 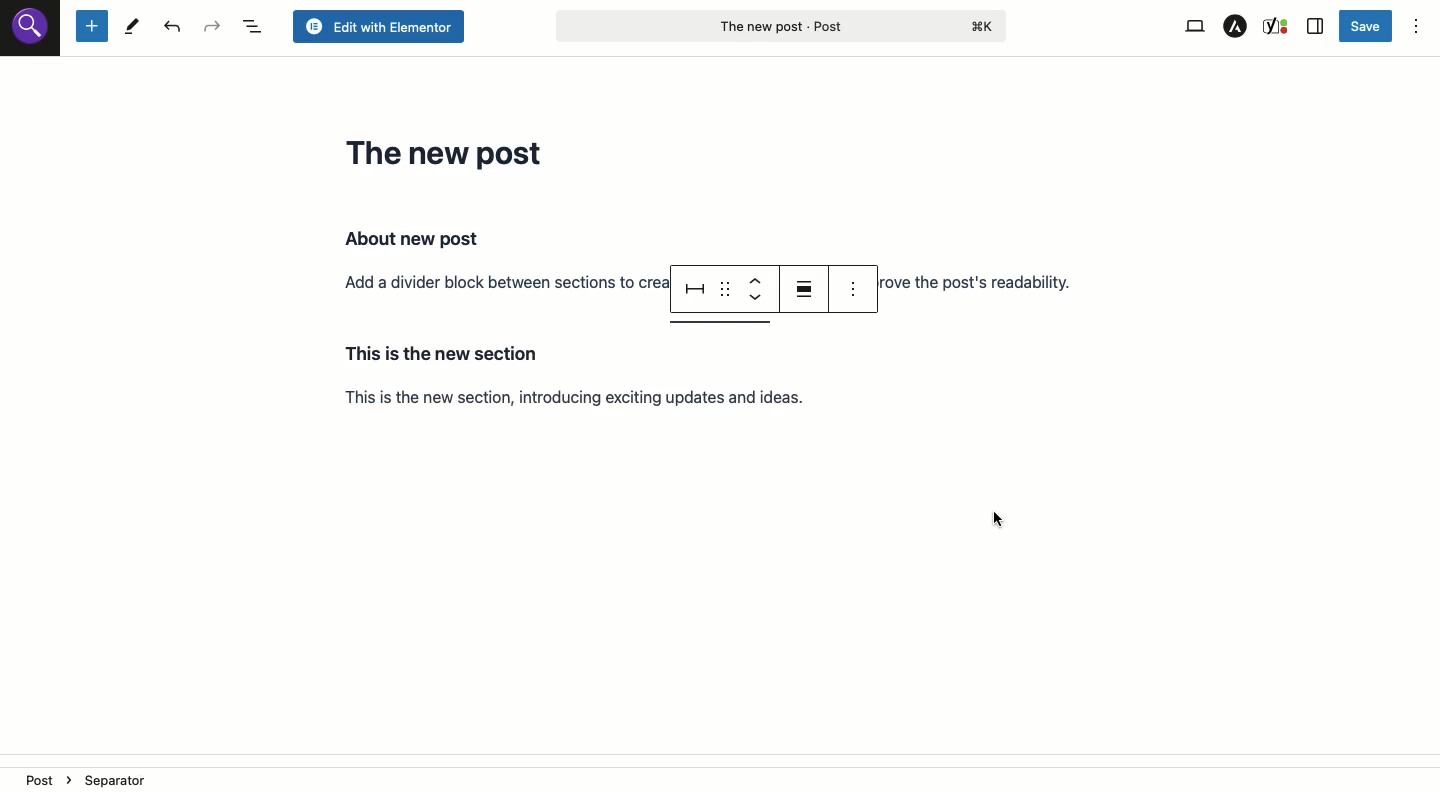 I want to click on Tools, so click(x=132, y=28).